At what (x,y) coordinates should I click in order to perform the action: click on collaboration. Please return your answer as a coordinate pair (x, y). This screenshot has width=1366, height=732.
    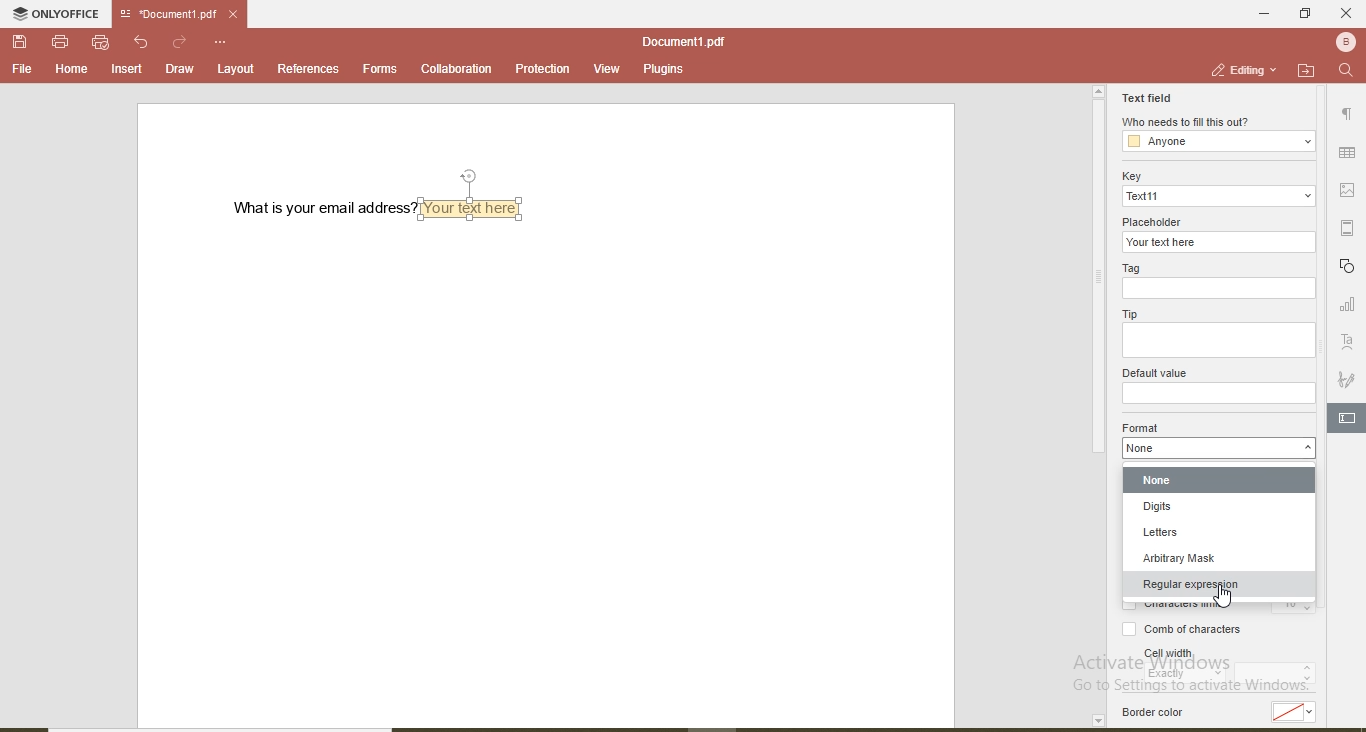
    Looking at the image, I should click on (455, 69).